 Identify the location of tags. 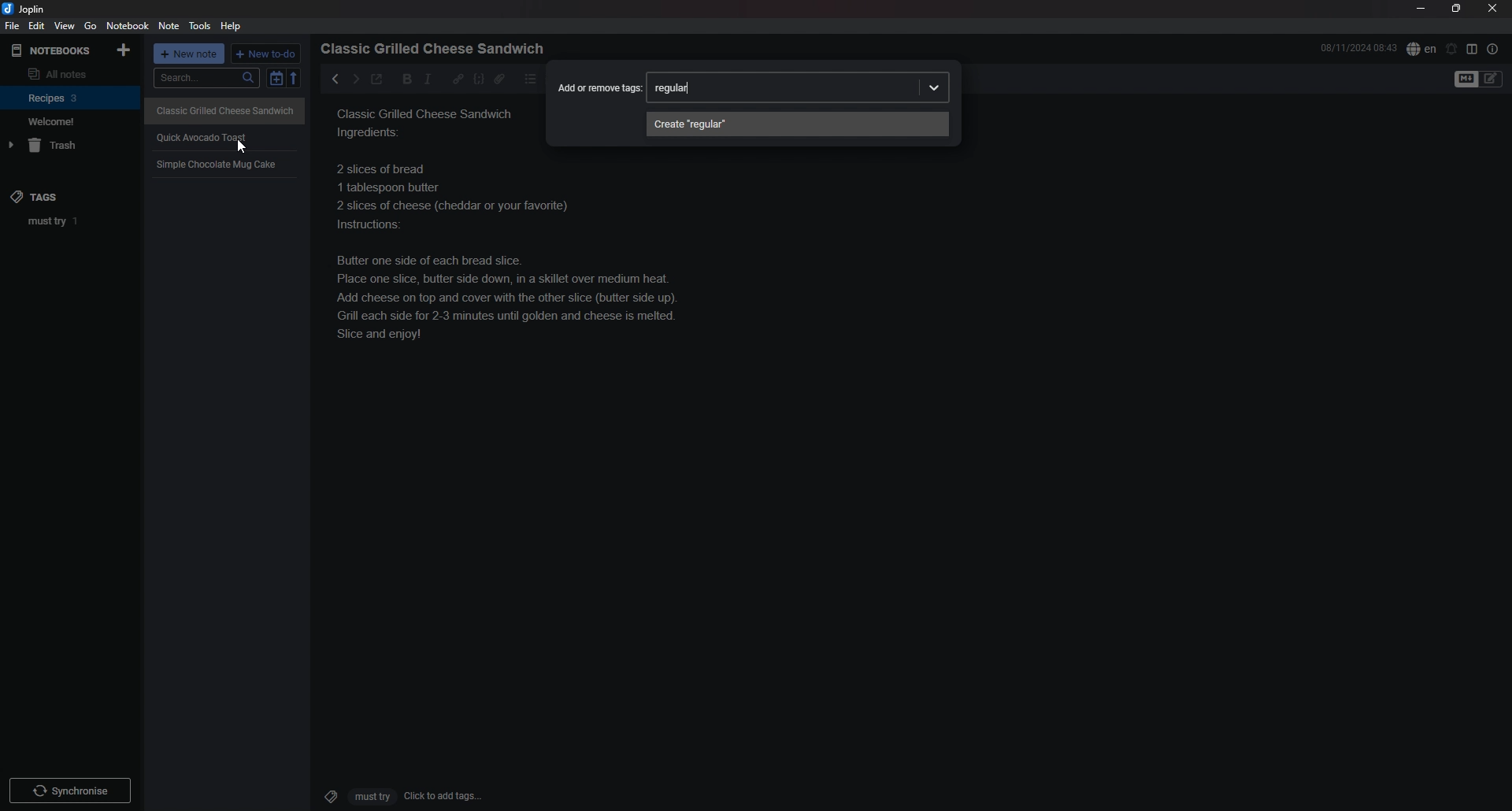
(48, 196).